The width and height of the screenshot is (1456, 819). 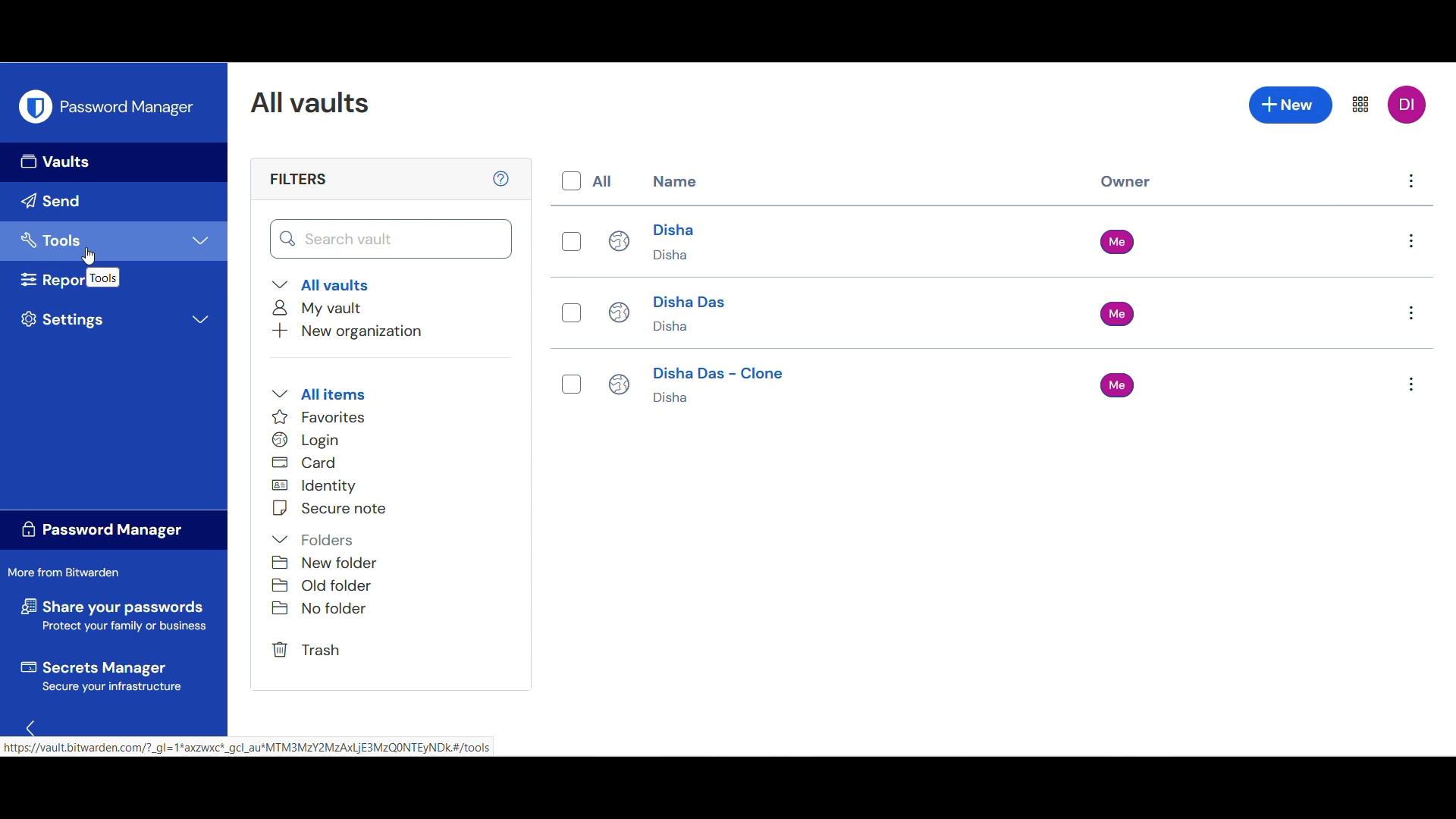 I want to click on Trash, so click(x=309, y=651).